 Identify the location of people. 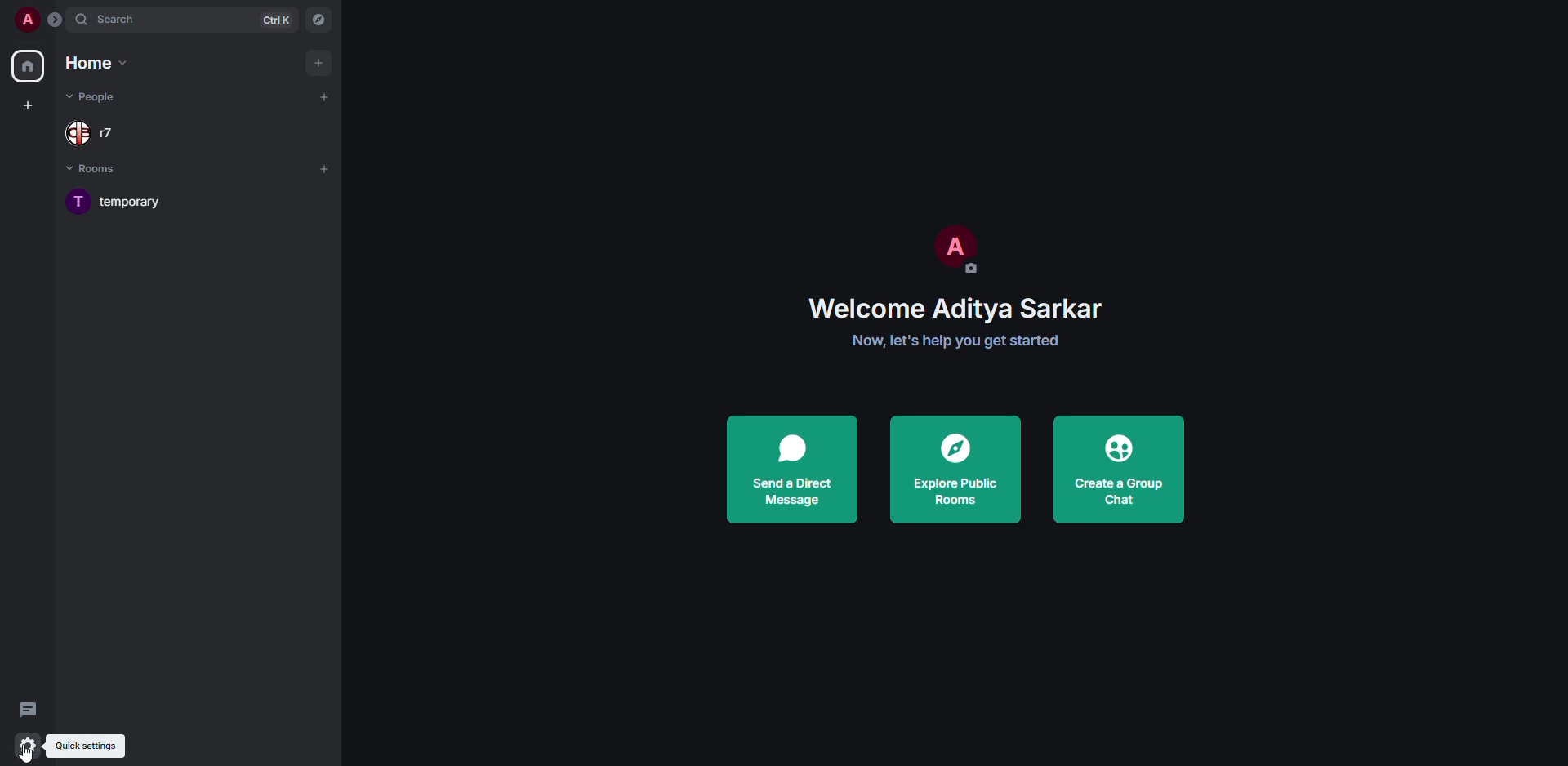
(94, 97).